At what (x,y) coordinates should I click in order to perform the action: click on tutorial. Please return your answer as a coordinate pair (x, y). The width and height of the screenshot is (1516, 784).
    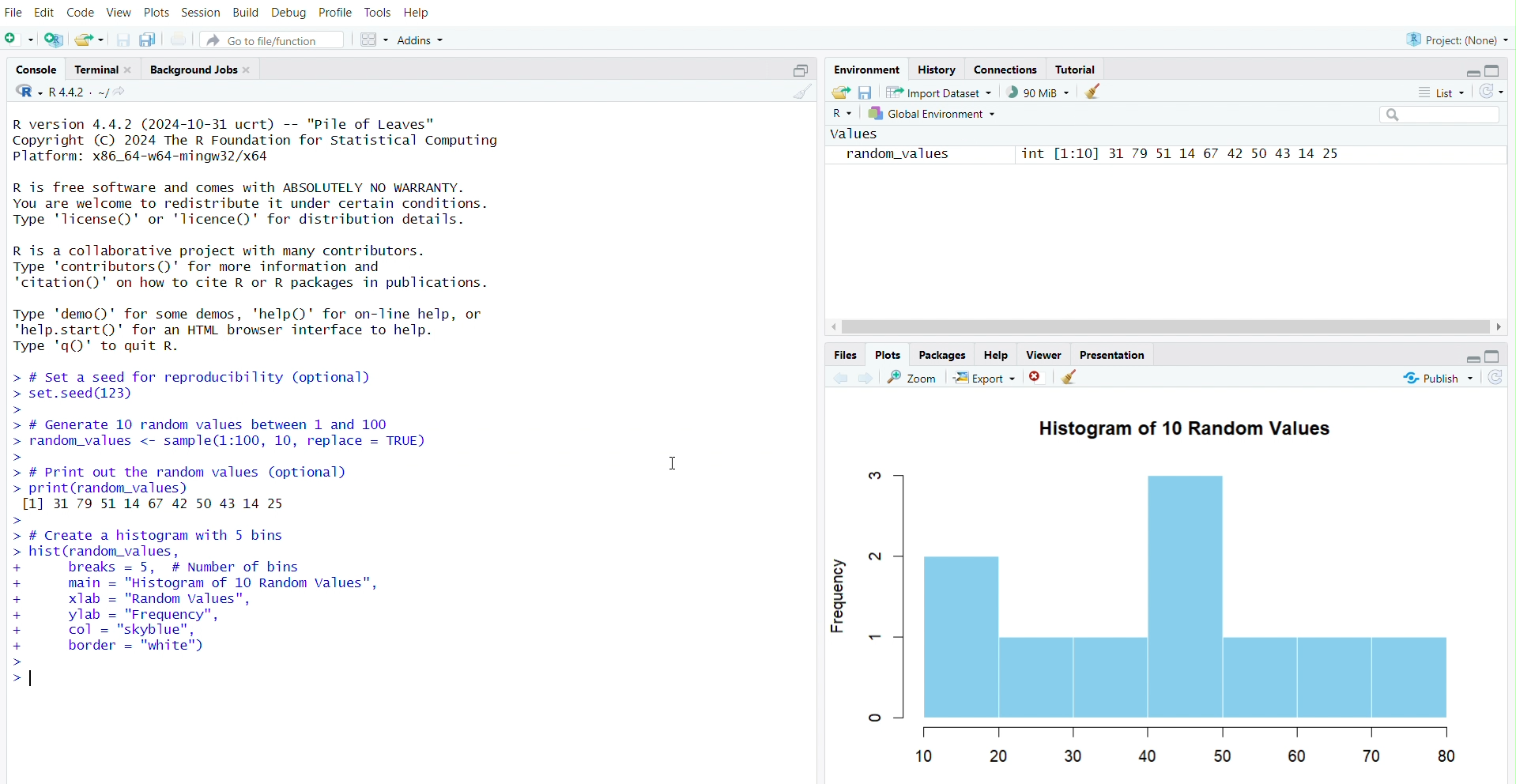
    Looking at the image, I should click on (1075, 68).